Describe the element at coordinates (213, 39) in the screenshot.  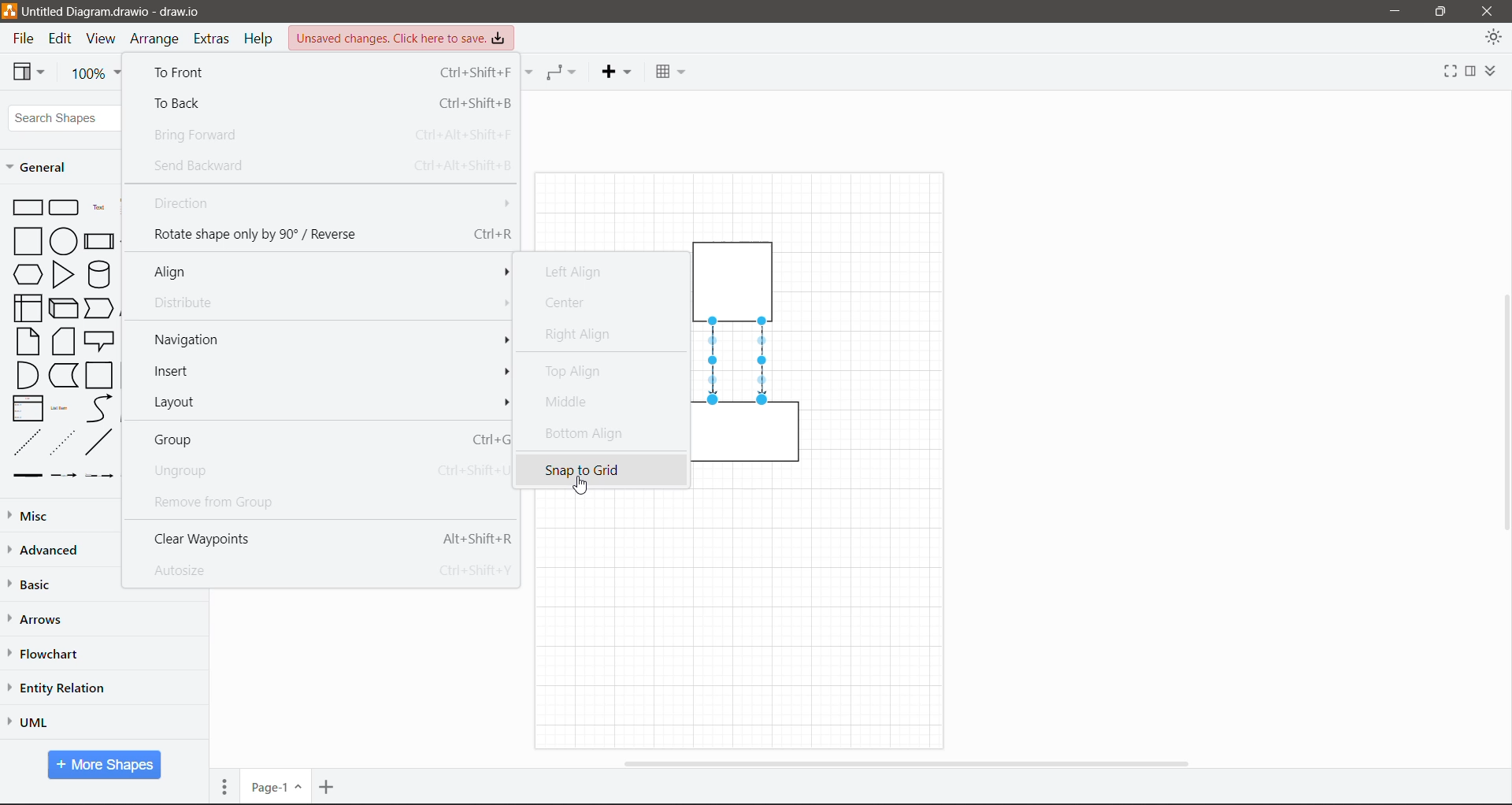
I see `Extras` at that location.